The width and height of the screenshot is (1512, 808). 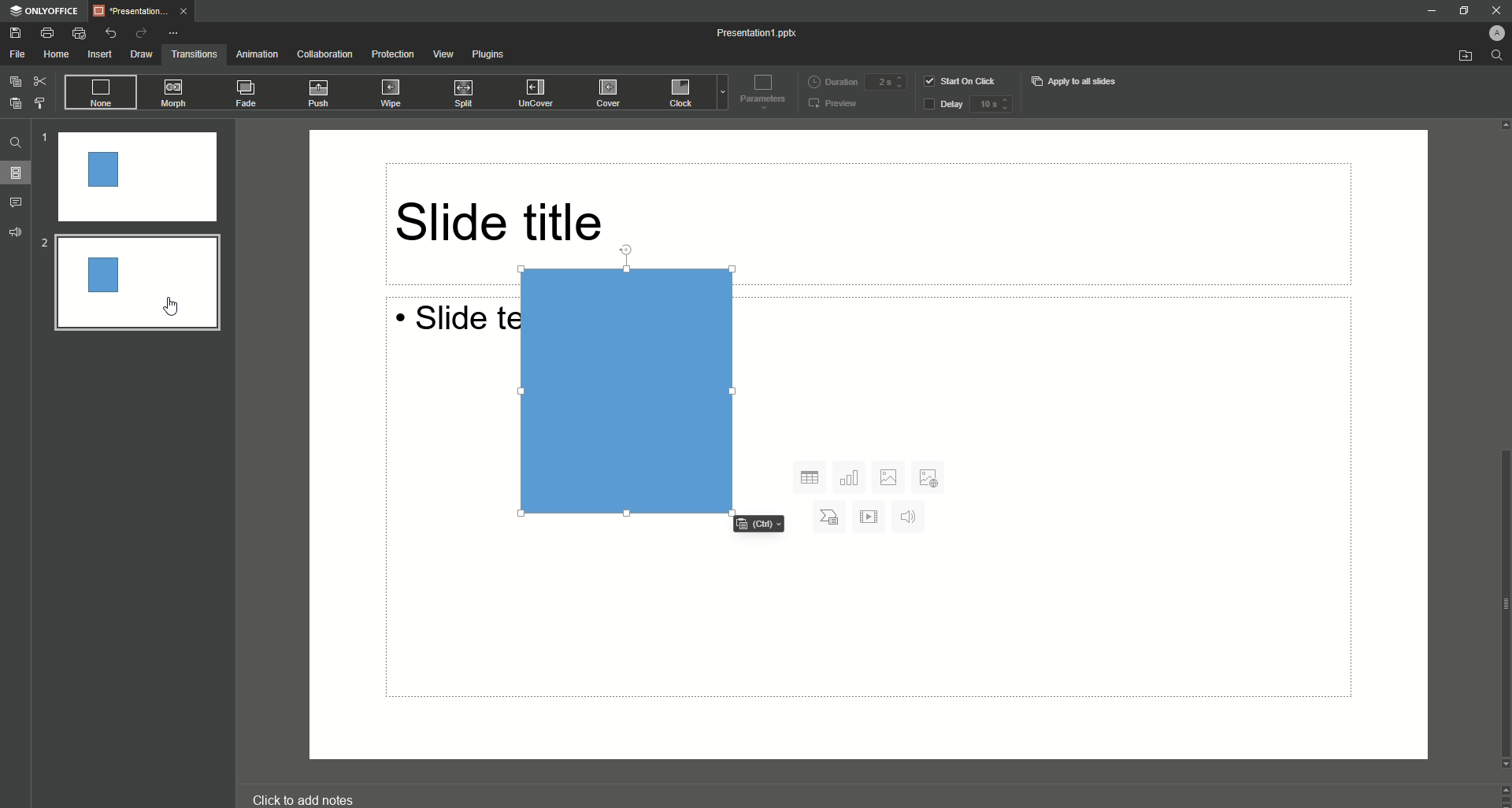 I want to click on Up, so click(x=1503, y=122).